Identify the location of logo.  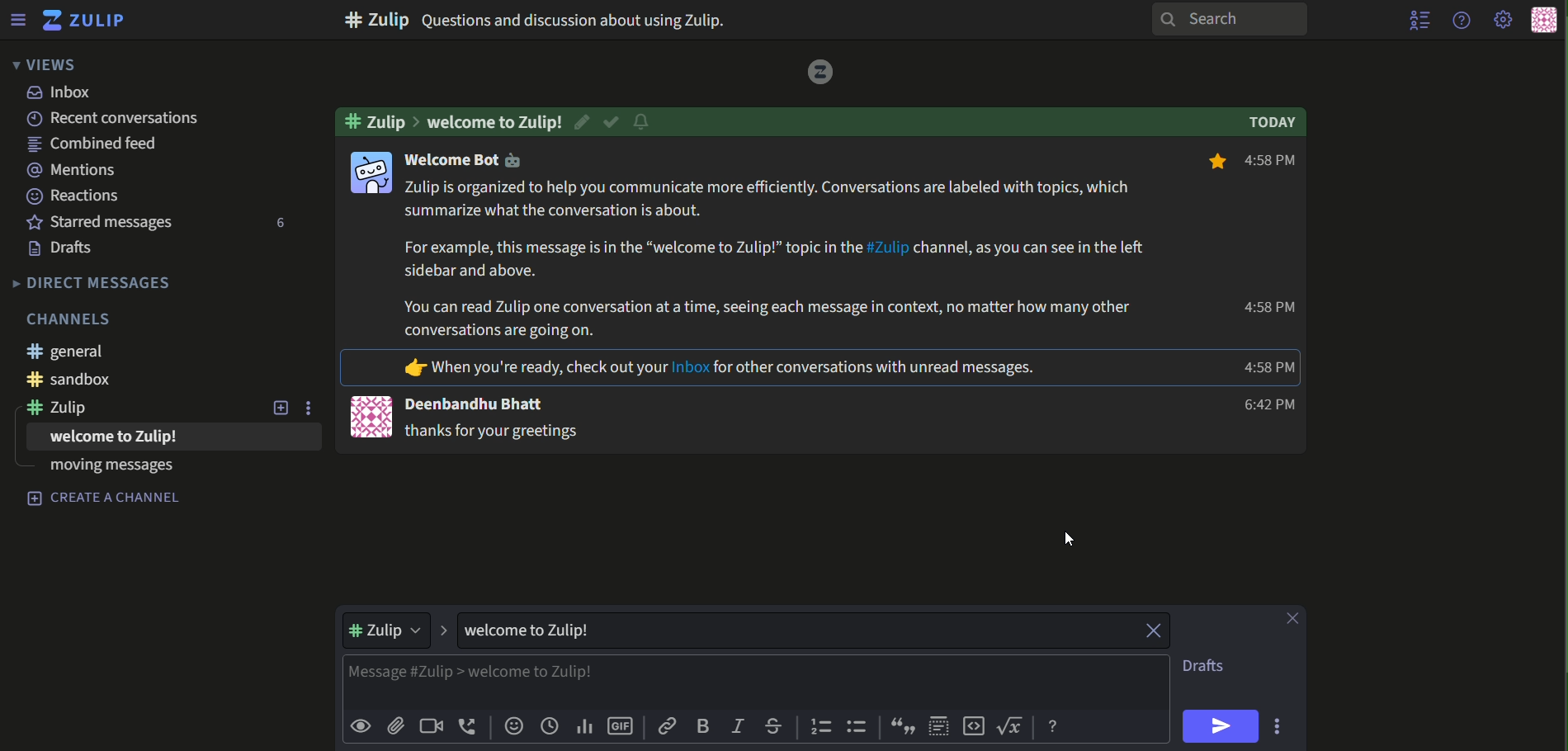
(816, 73).